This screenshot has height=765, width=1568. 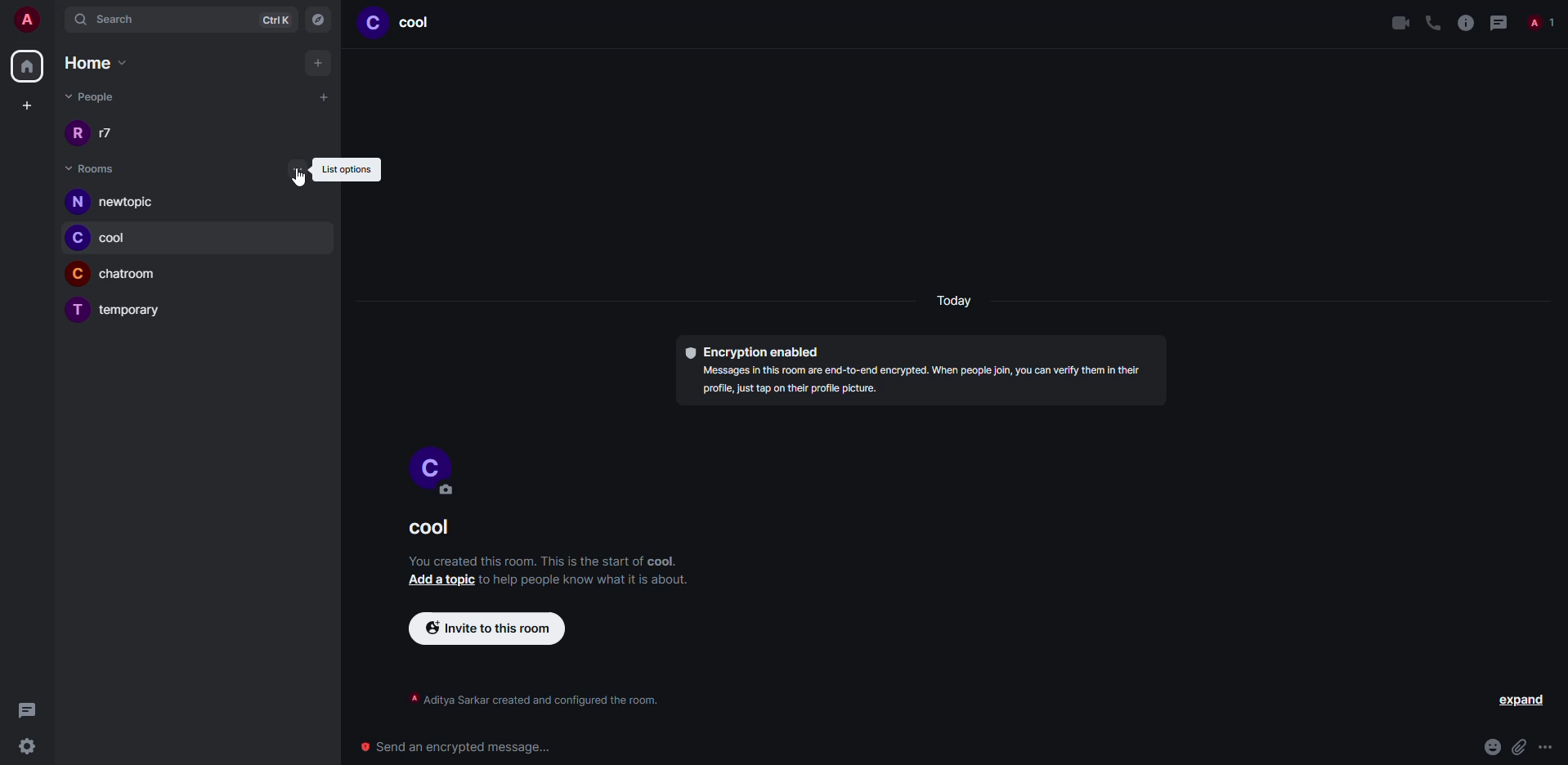 I want to click on list options, so click(x=346, y=170).